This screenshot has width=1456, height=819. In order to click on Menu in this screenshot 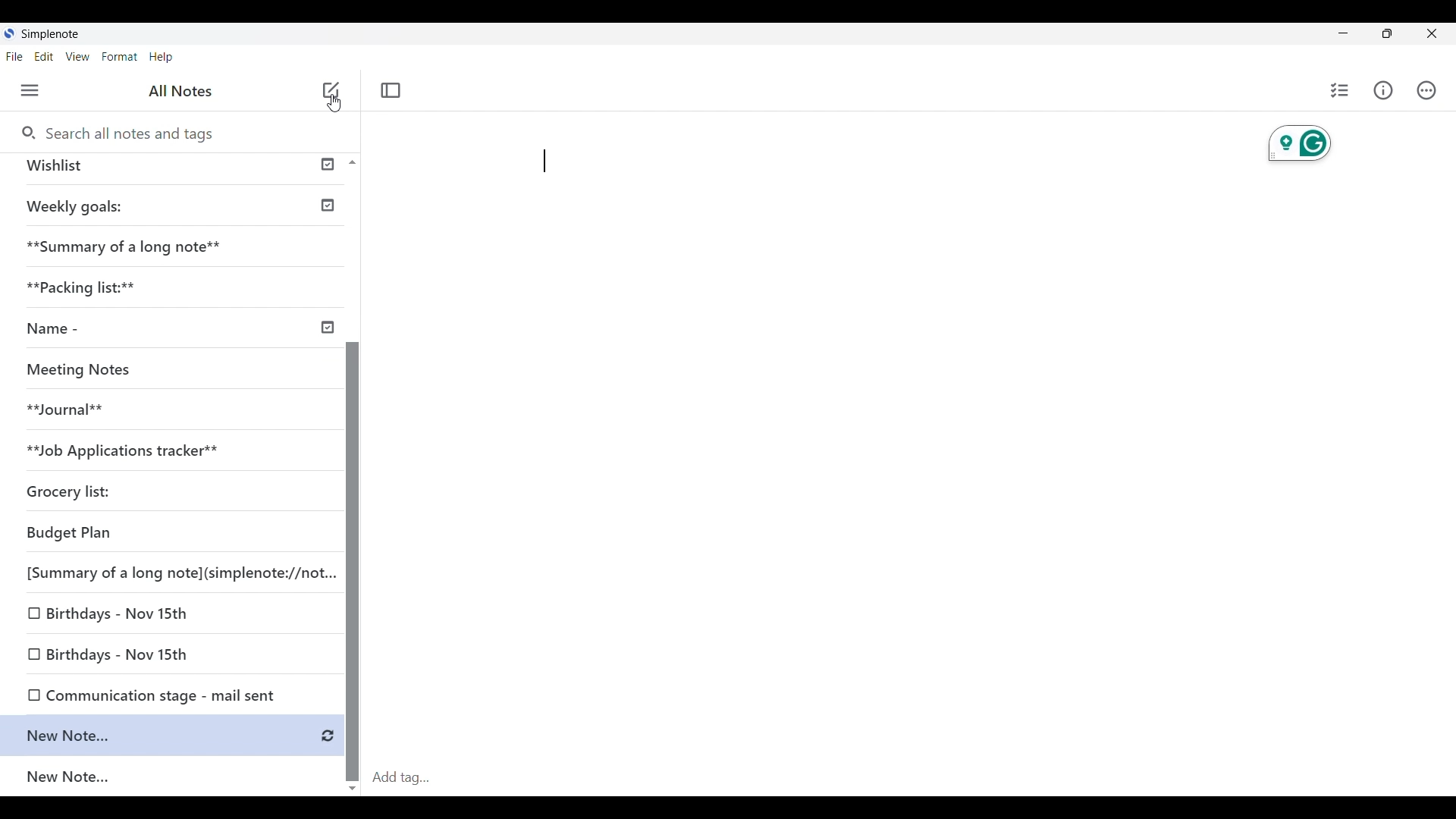, I will do `click(30, 90)`.